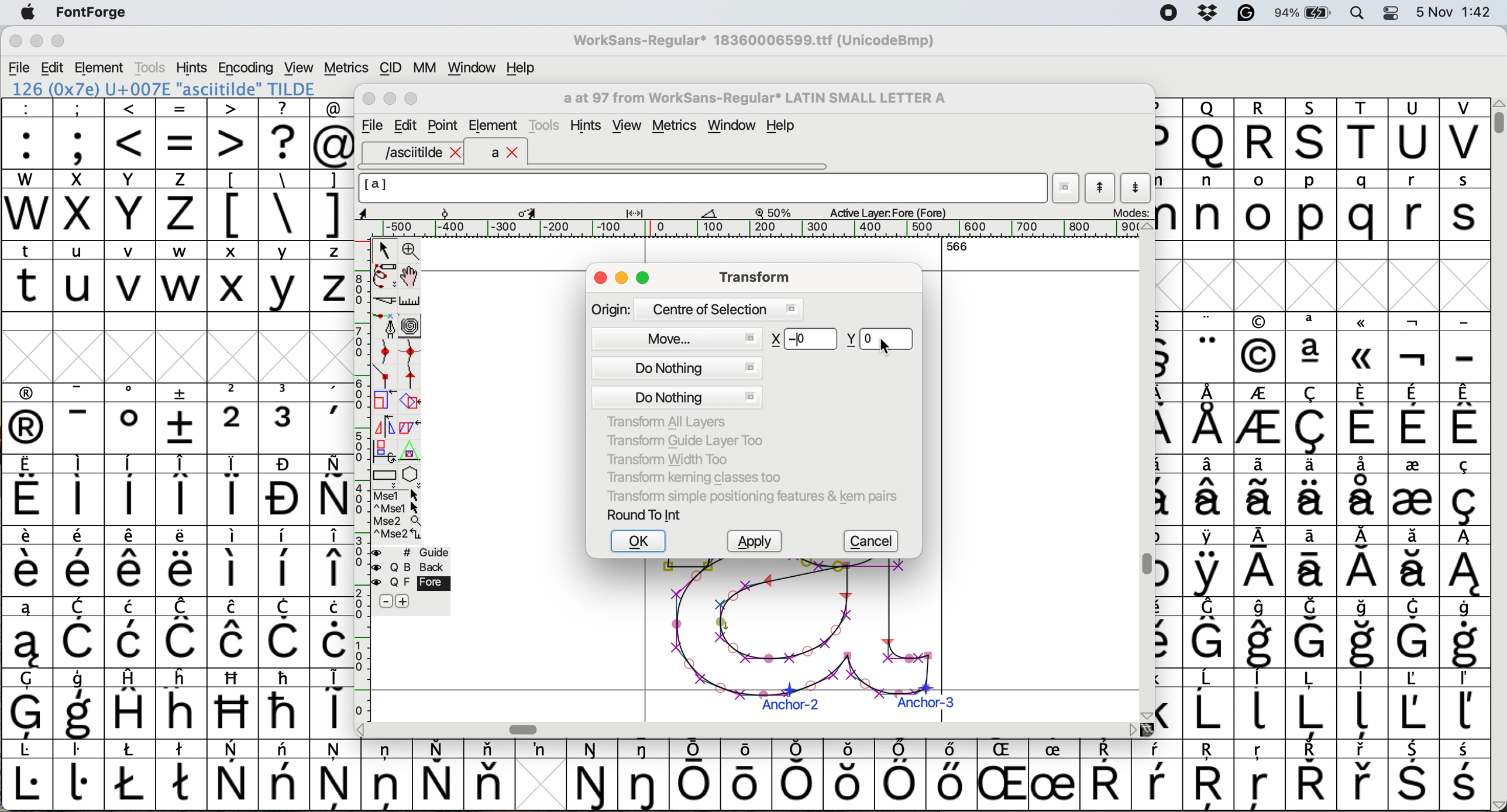  Describe the element at coordinates (165, 88) in the screenshot. I see `126 (0x7e) U+007E "asciitilde" TILDE` at that location.